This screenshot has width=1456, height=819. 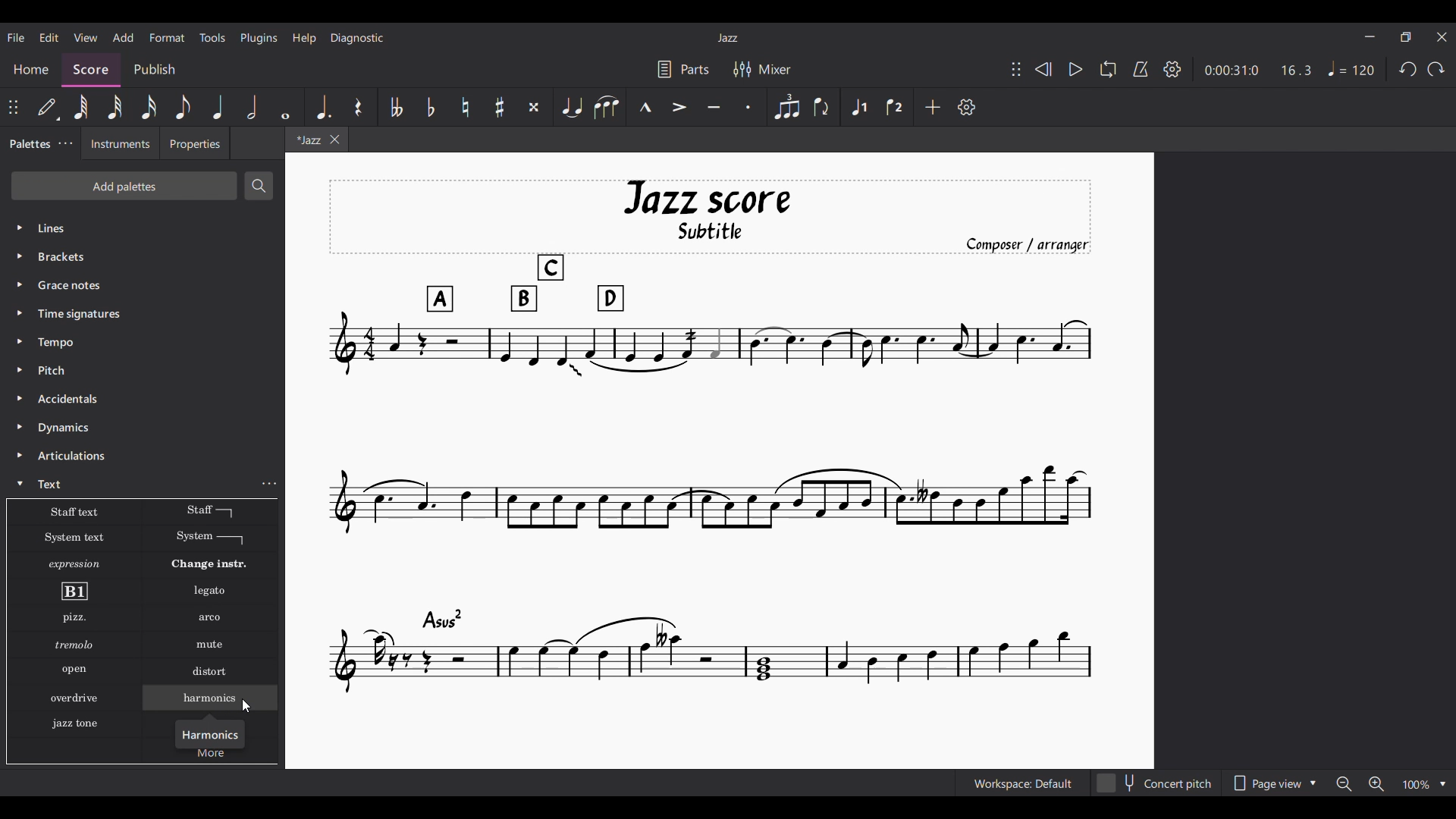 What do you see at coordinates (260, 186) in the screenshot?
I see `Search` at bounding box center [260, 186].